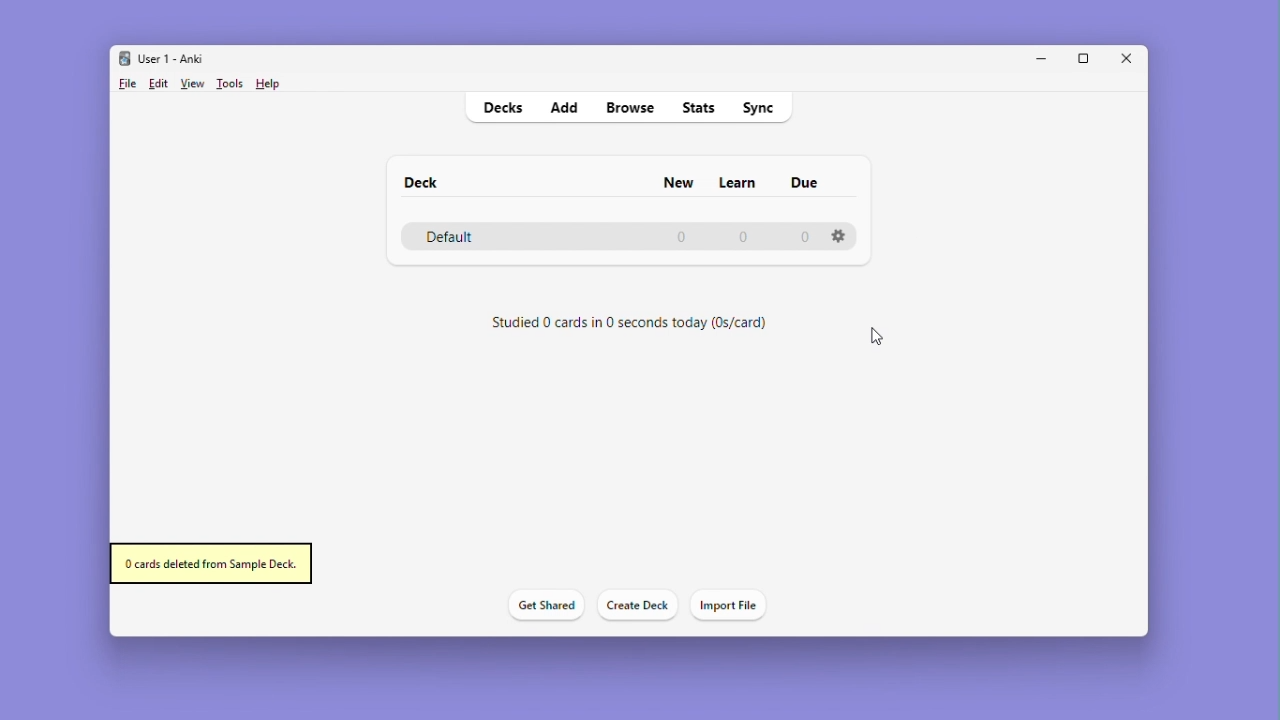 Image resolution: width=1280 pixels, height=720 pixels. I want to click on cursor, so click(874, 337).